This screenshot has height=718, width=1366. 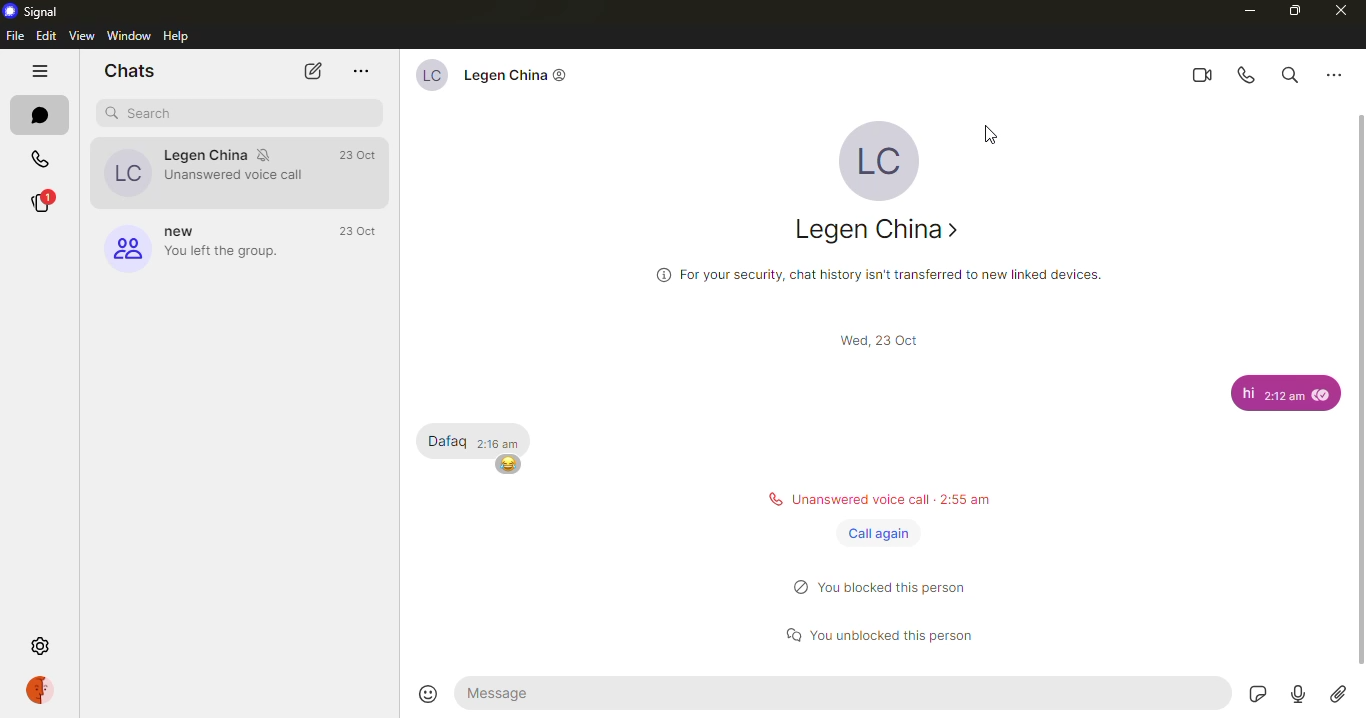 What do you see at coordinates (877, 533) in the screenshot?
I see `call again` at bounding box center [877, 533].